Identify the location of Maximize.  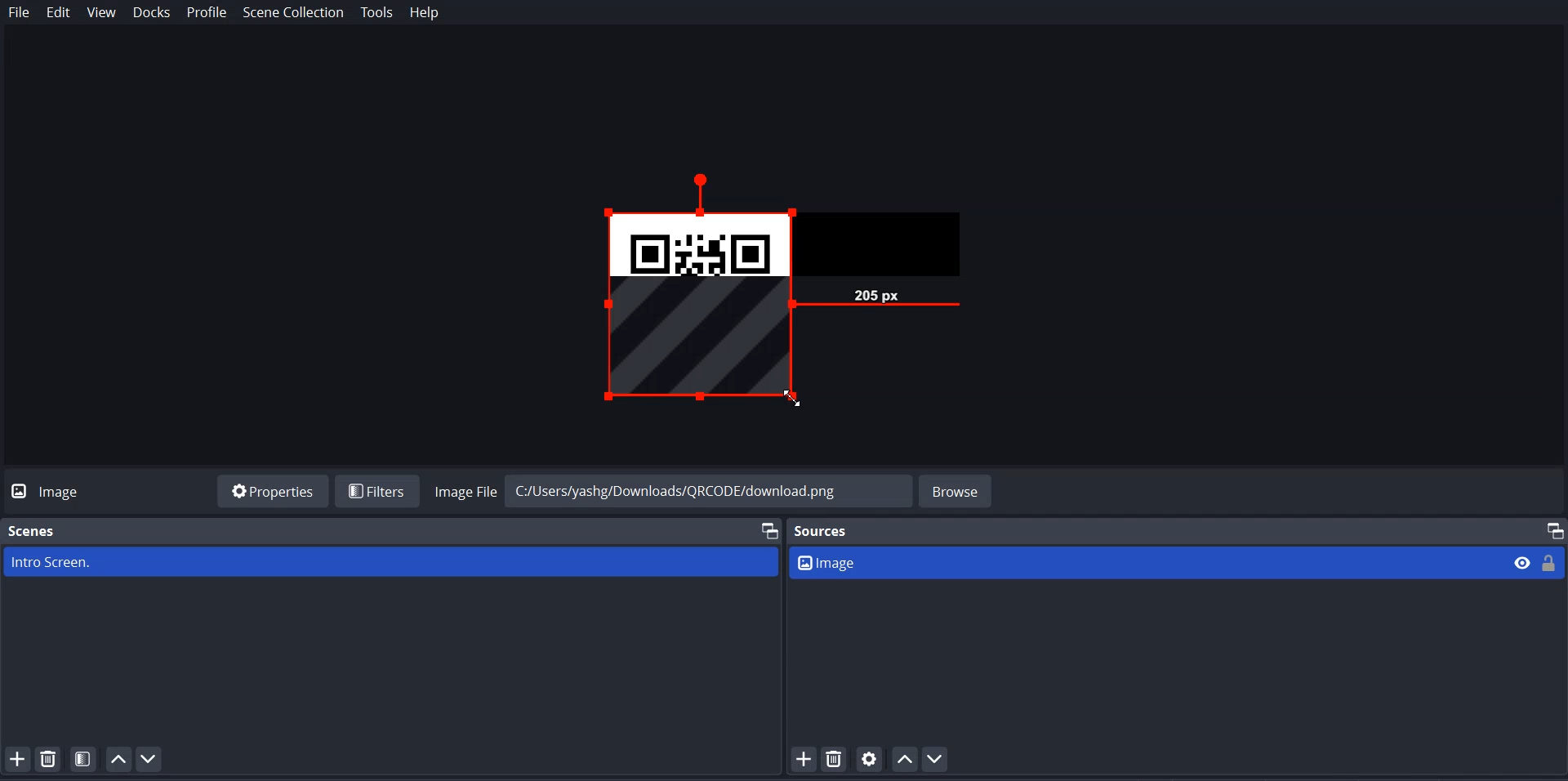
(1555, 529).